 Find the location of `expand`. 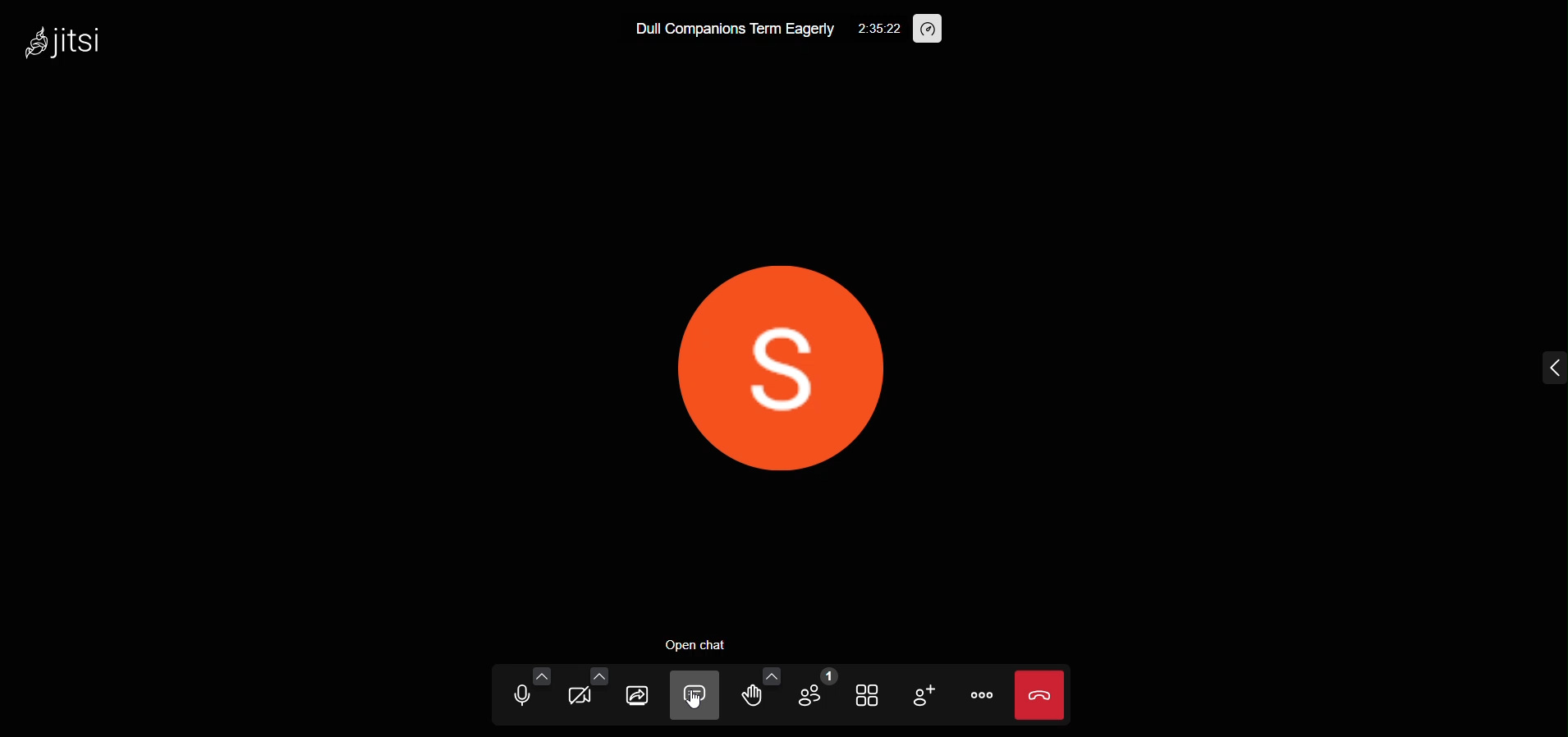

expand is located at coordinates (1538, 367).